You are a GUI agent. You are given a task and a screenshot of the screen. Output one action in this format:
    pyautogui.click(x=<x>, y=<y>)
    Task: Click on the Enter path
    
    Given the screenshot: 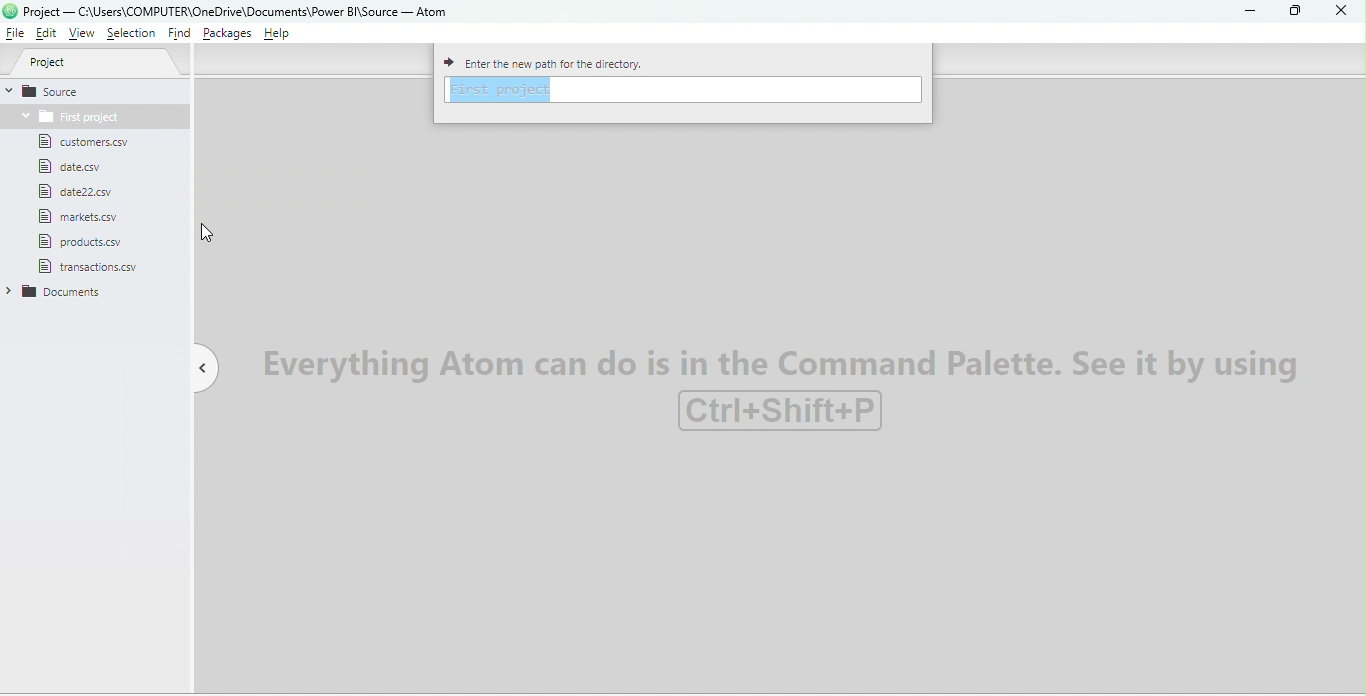 What is the action you would take?
    pyautogui.click(x=685, y=90)
    